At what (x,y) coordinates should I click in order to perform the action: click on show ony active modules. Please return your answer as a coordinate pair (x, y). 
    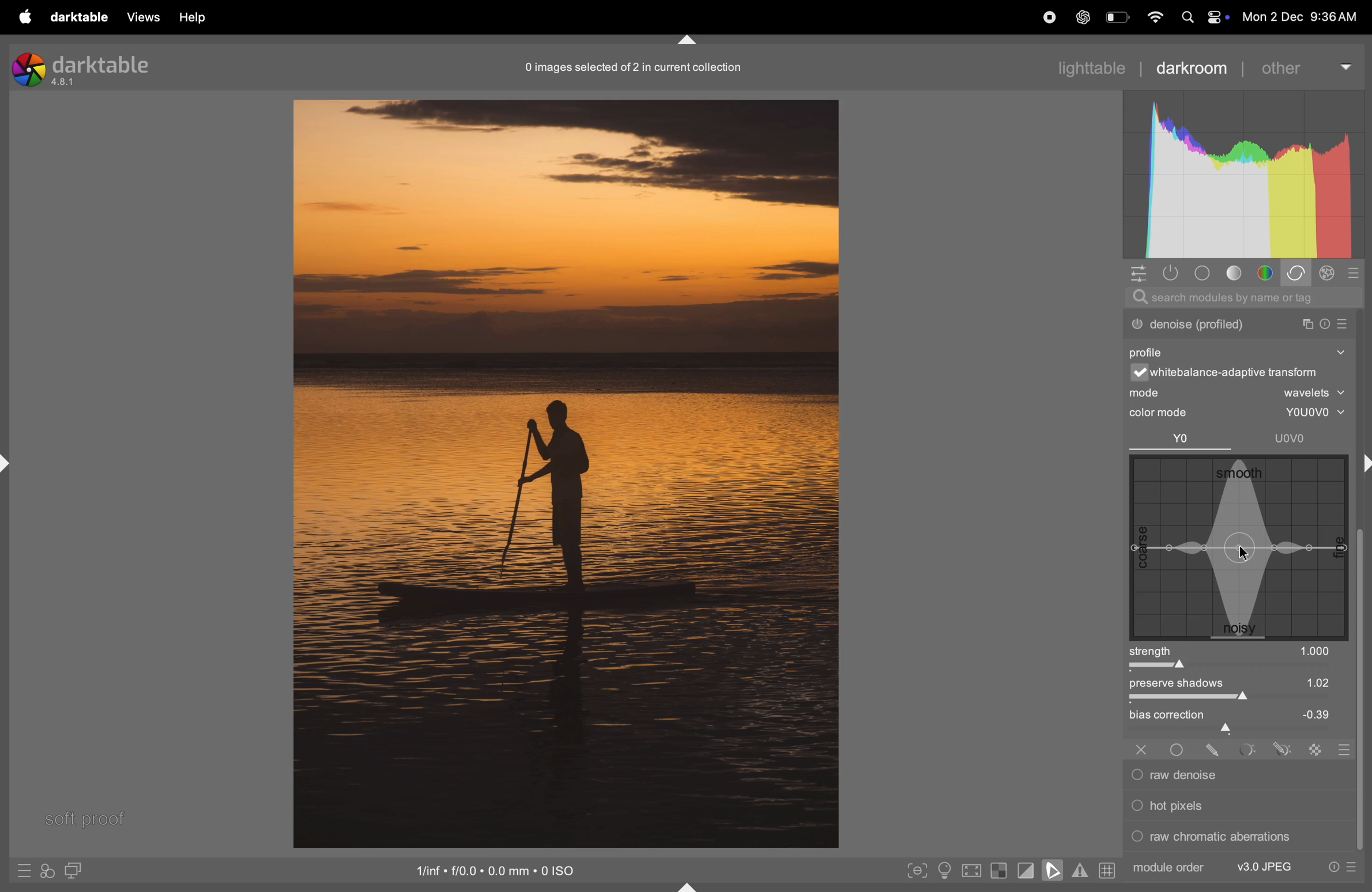
    Looking at the image, I should click on (1173, 273).